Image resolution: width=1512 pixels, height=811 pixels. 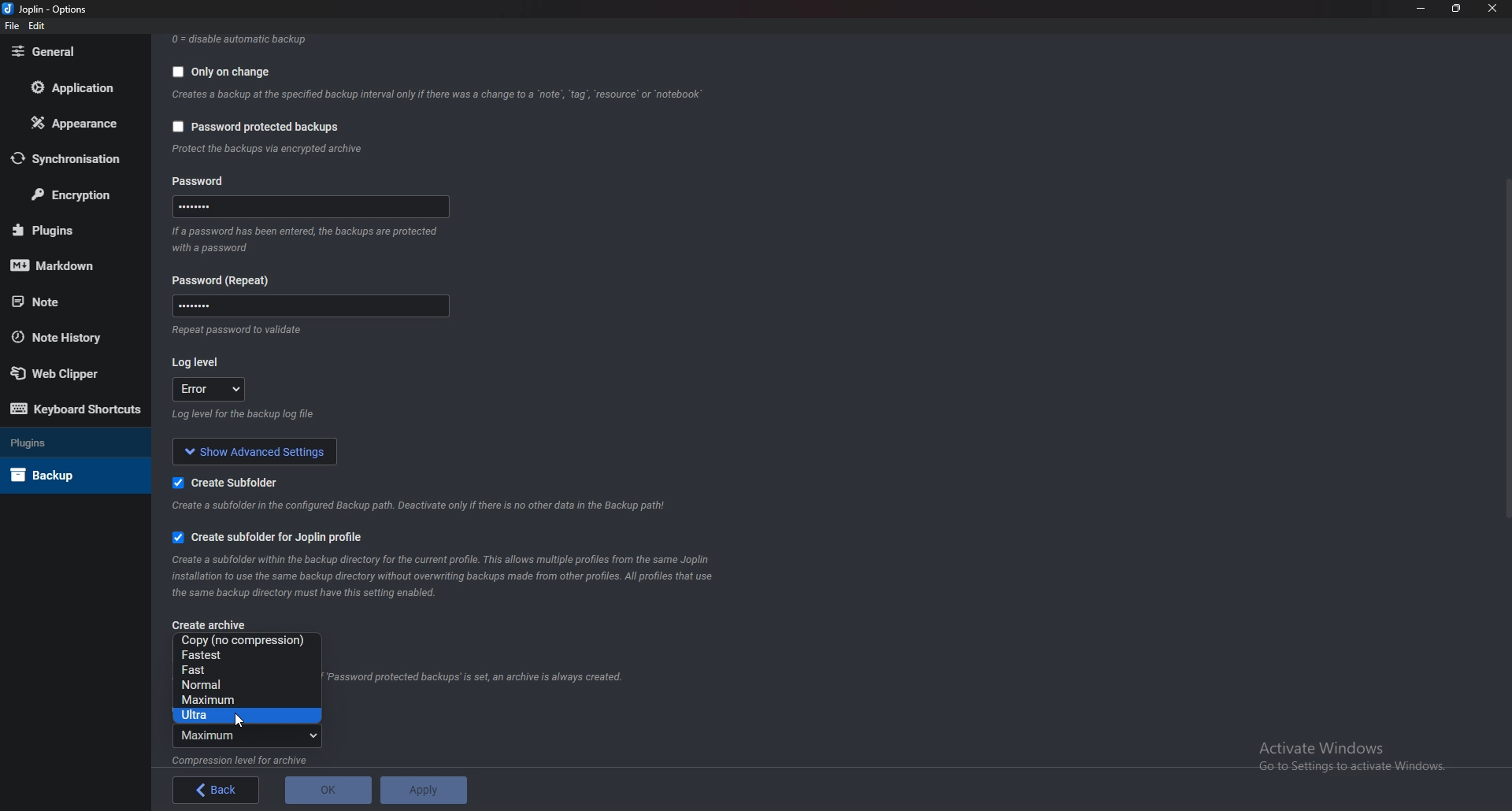 I want to click on info, so click(x=278, y=149).